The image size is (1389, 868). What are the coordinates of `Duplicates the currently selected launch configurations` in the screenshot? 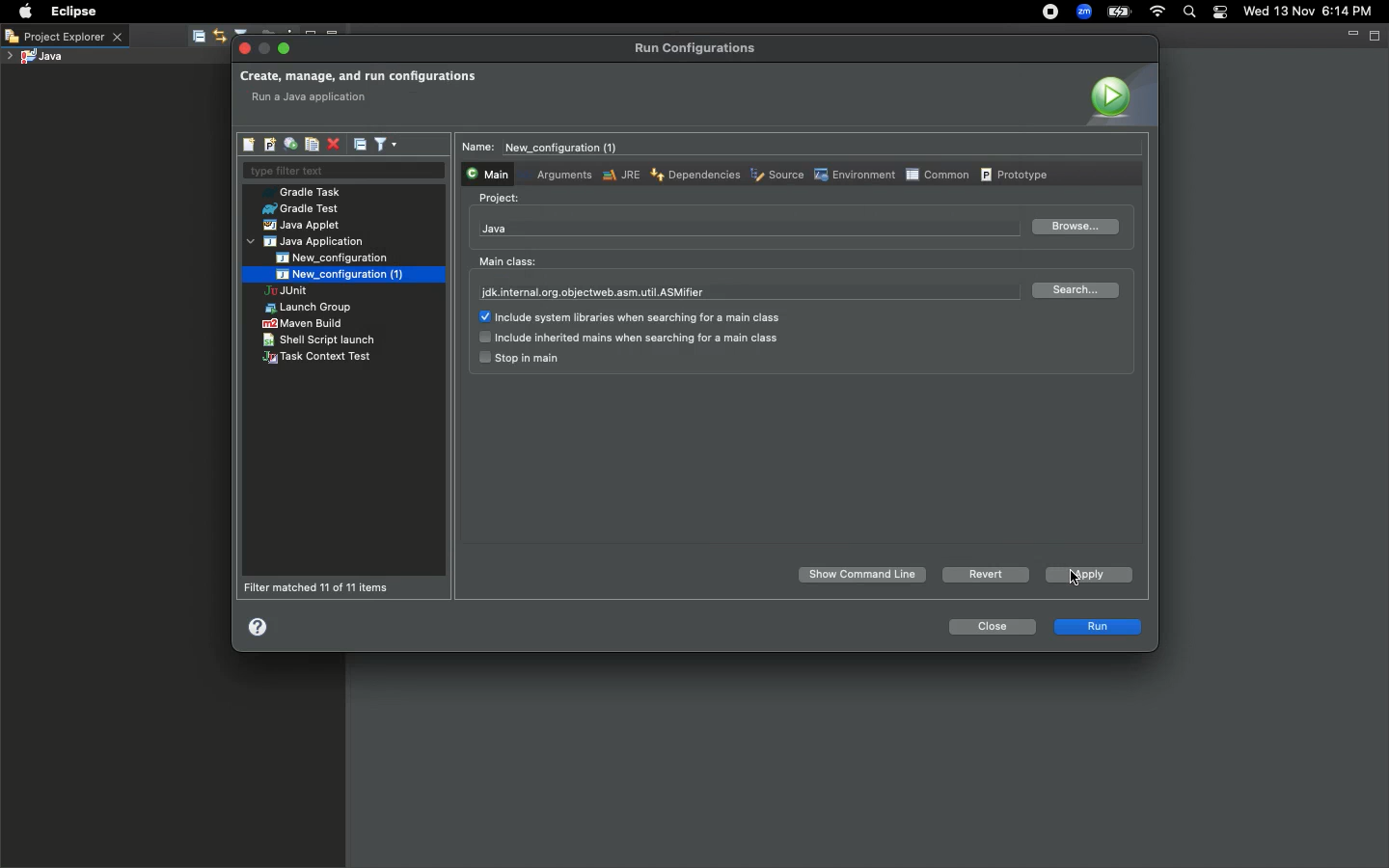 It's located at (312, 145).